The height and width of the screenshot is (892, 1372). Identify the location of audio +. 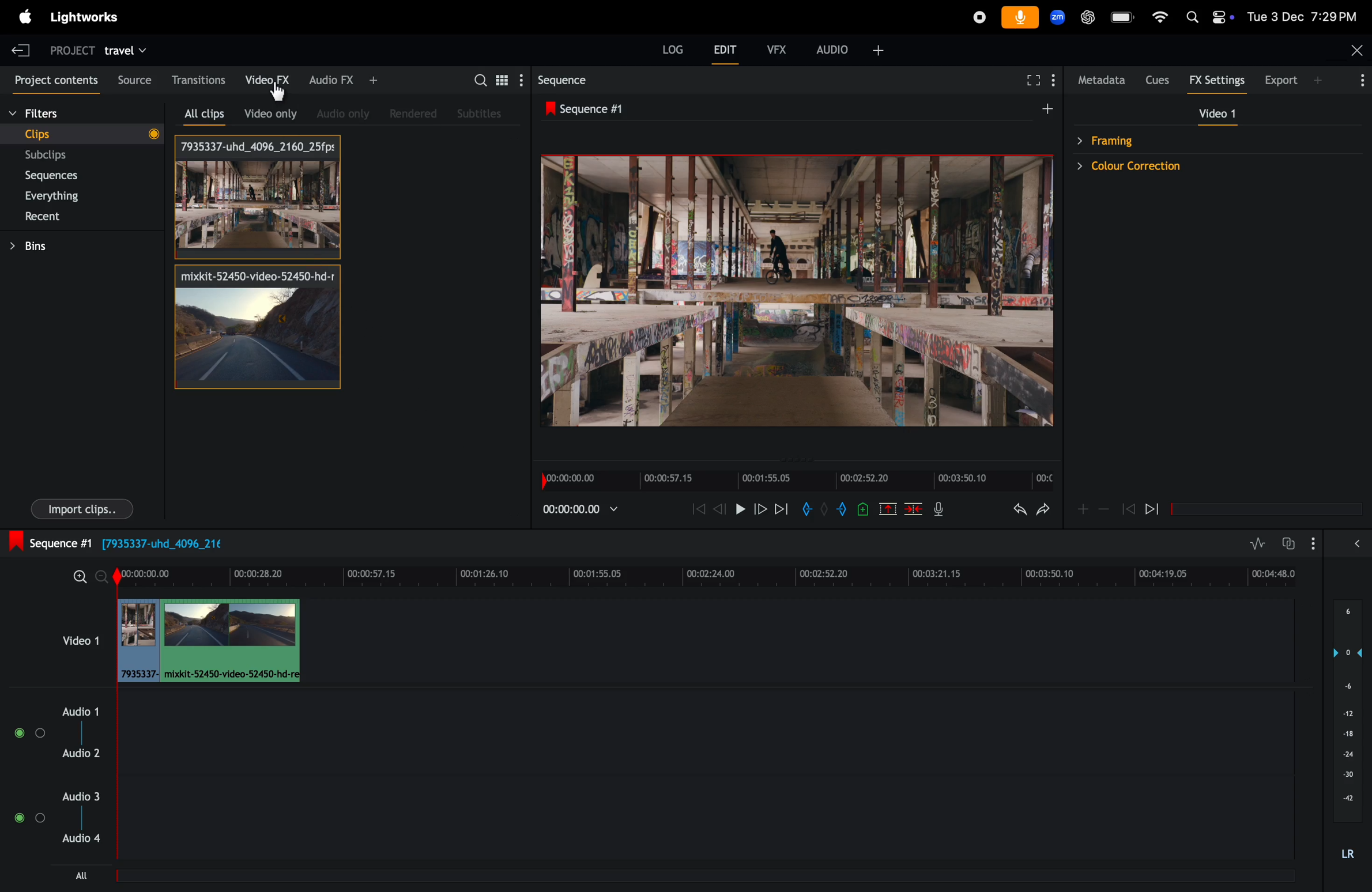
(847, 49).